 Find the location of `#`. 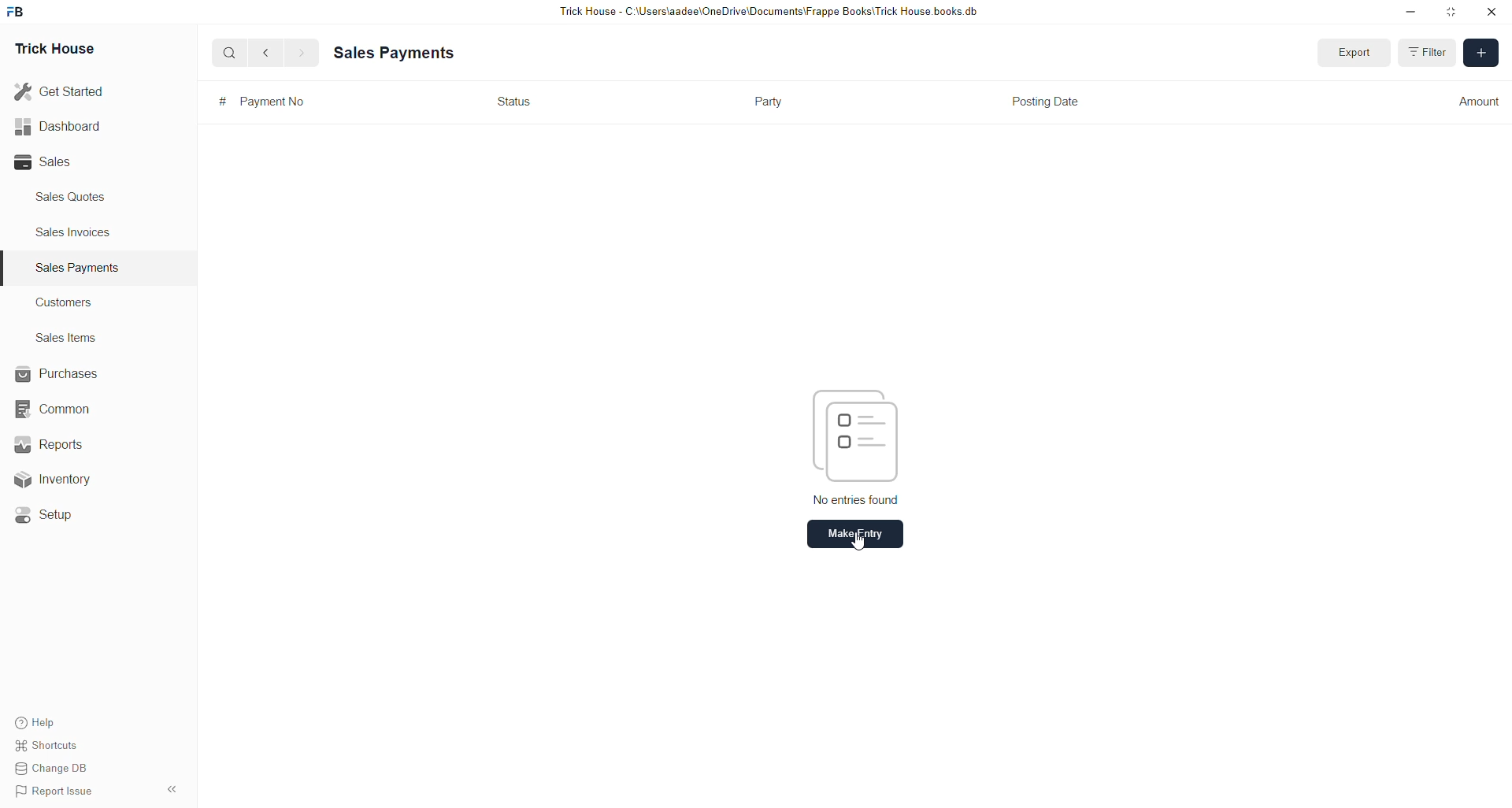

# is located at coordinates (221, 101).